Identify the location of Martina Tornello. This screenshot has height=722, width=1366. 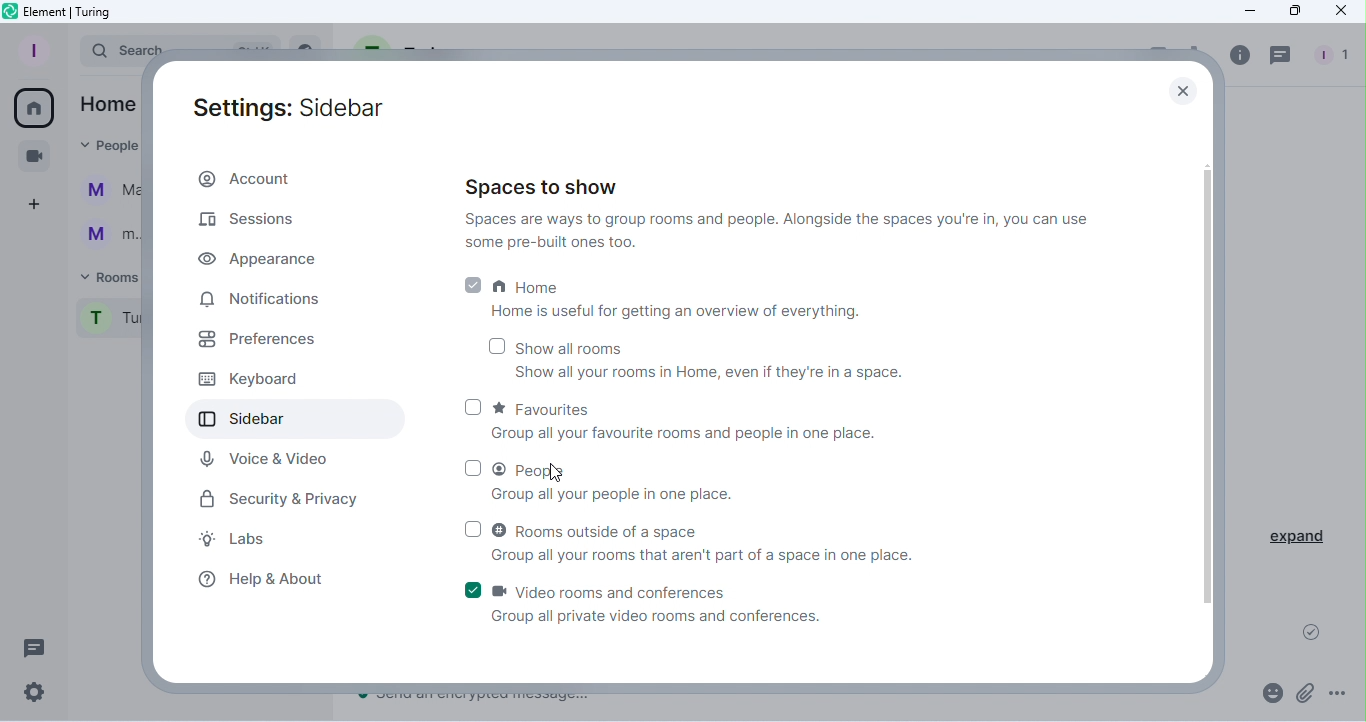
(109, 194).